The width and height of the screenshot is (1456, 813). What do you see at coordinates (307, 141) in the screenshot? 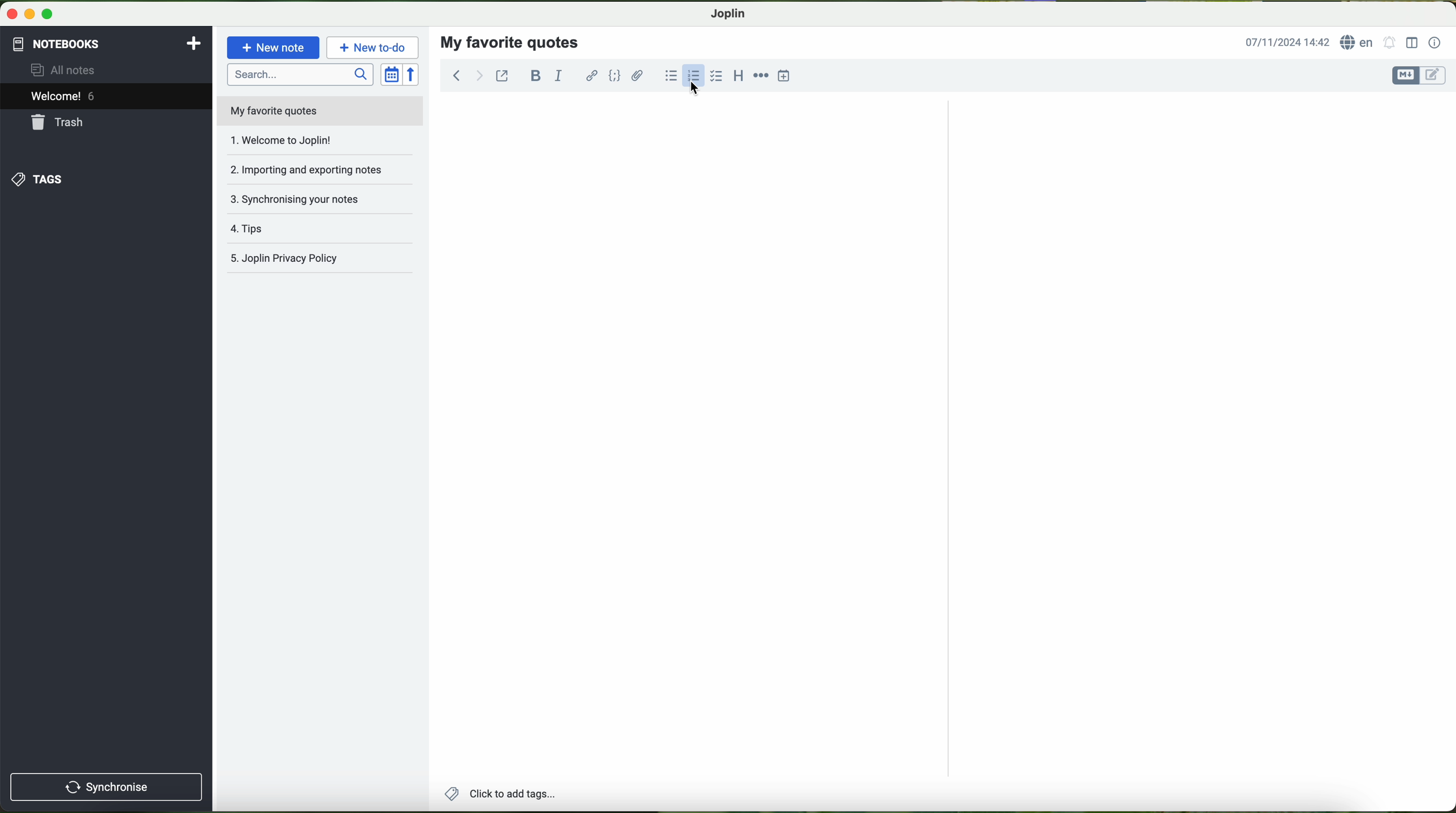
I see `welcome to joplin` at bounding box center [307, 141].